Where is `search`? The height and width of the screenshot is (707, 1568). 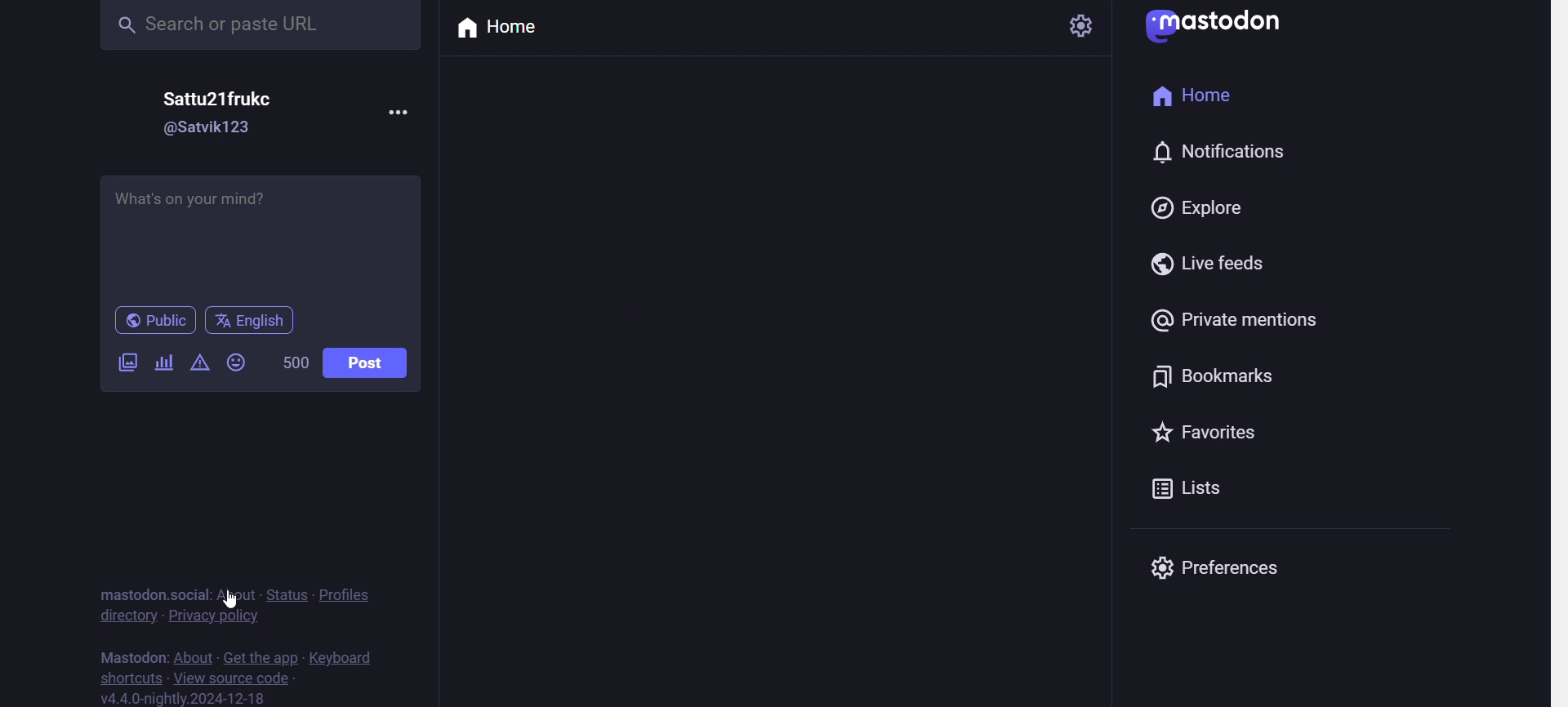
search is located at coordinates (264, 28).